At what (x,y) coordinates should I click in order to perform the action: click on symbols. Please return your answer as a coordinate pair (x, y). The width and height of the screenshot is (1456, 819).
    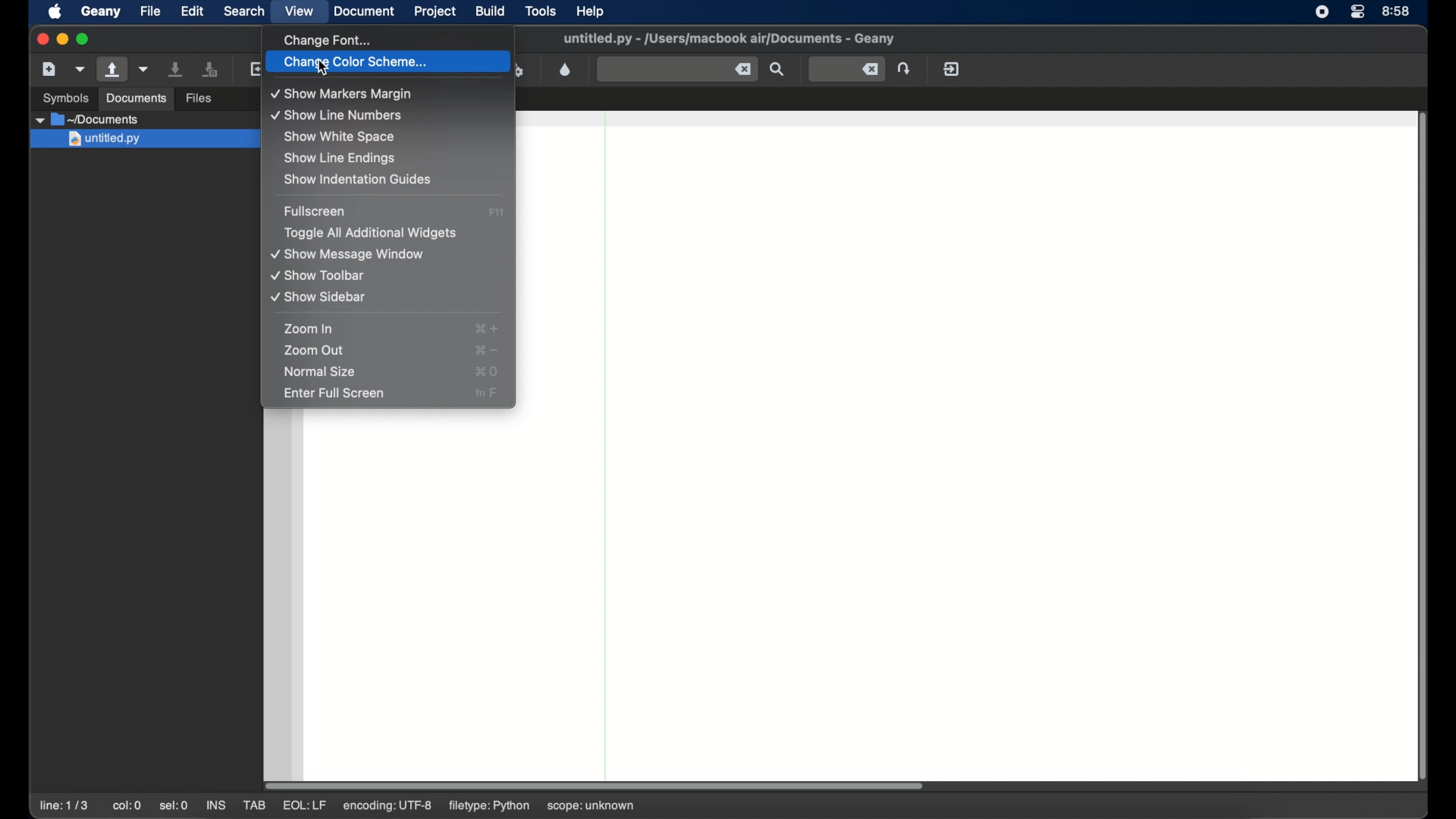
    Looking at the image, I should click on (64, 99).